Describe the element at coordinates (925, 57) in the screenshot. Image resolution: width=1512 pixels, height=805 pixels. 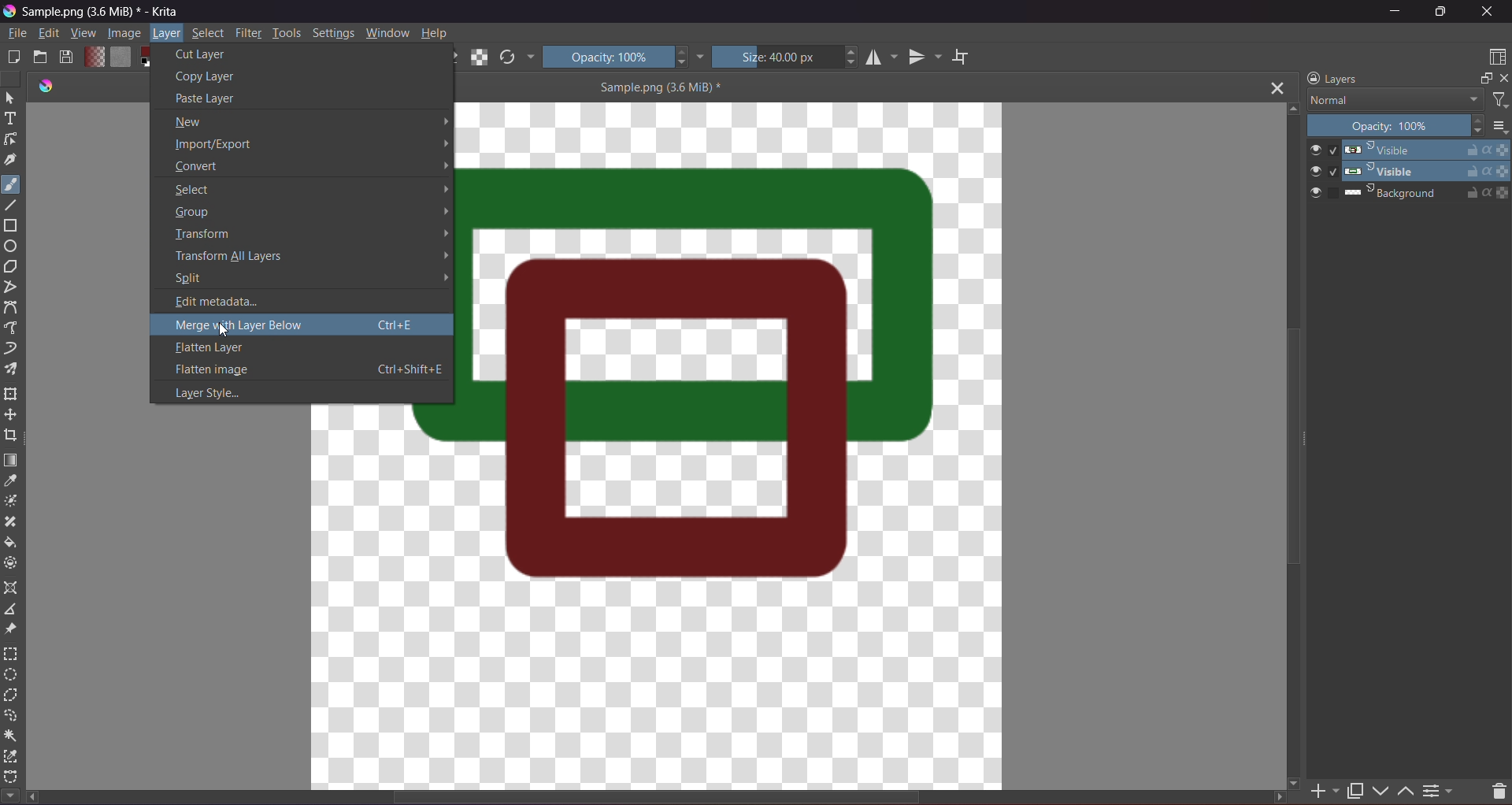
I see `Vertical Mirror Tool` at that location.